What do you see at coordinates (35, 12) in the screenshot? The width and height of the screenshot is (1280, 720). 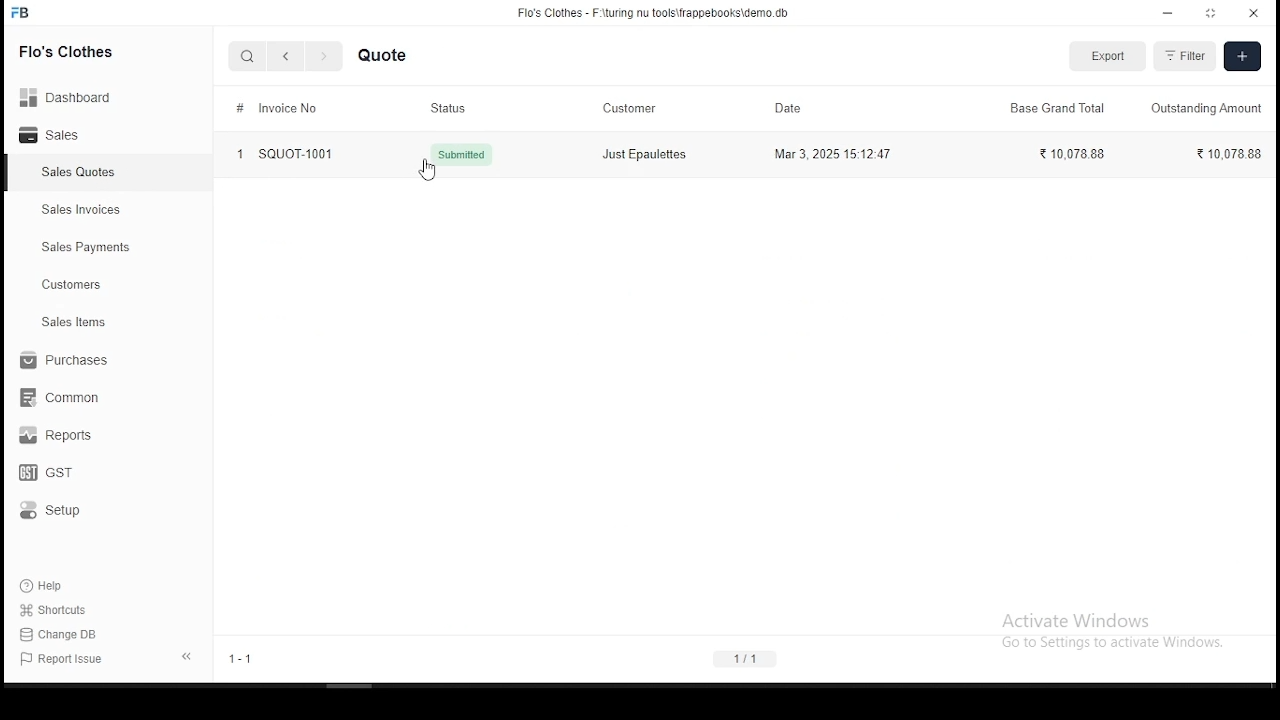 I see `FB` at bounding box center [35, 12].